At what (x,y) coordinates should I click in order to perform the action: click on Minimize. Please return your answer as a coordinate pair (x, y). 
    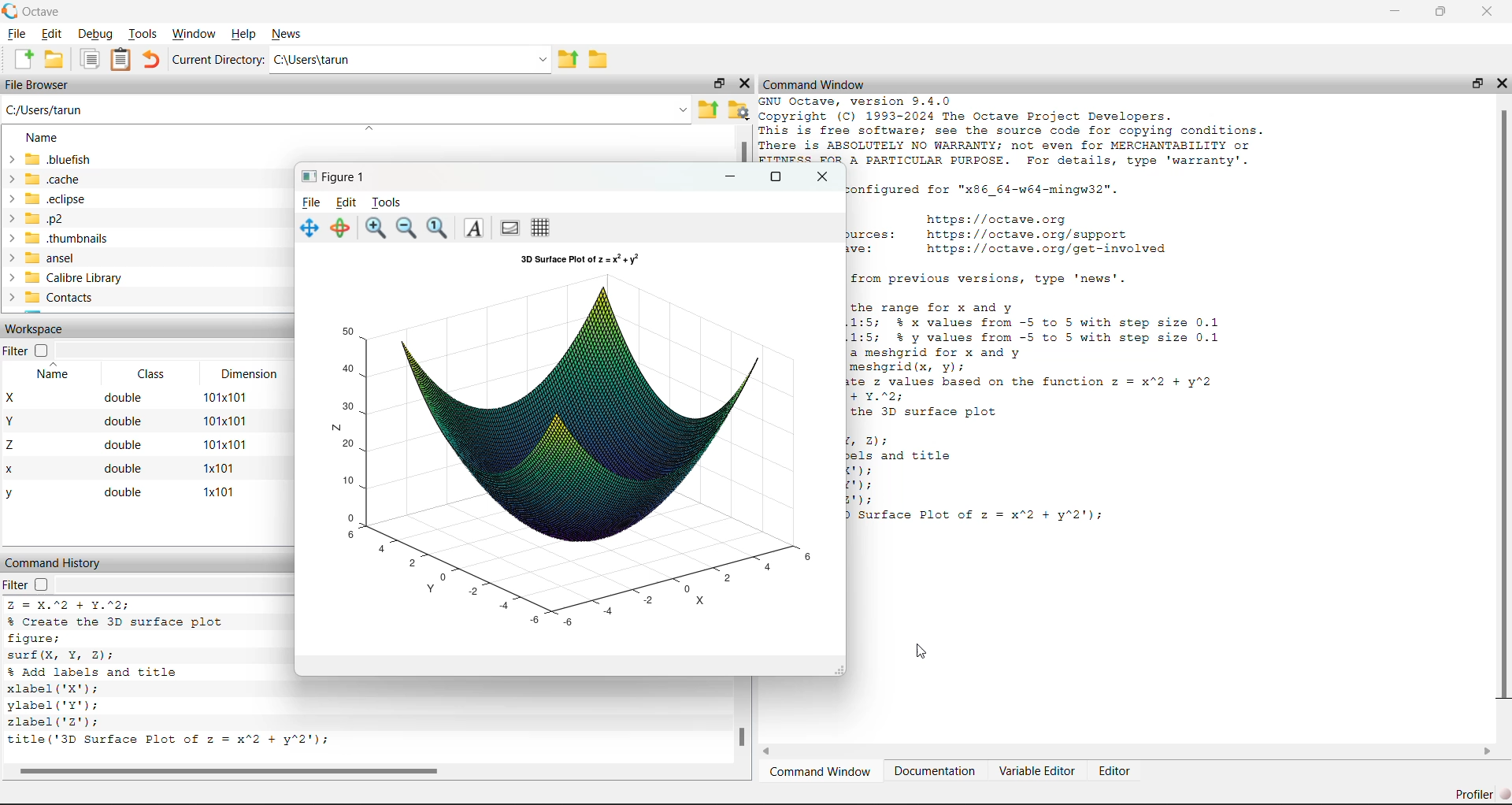
    Looking at the image, I should click on (1394, 9).